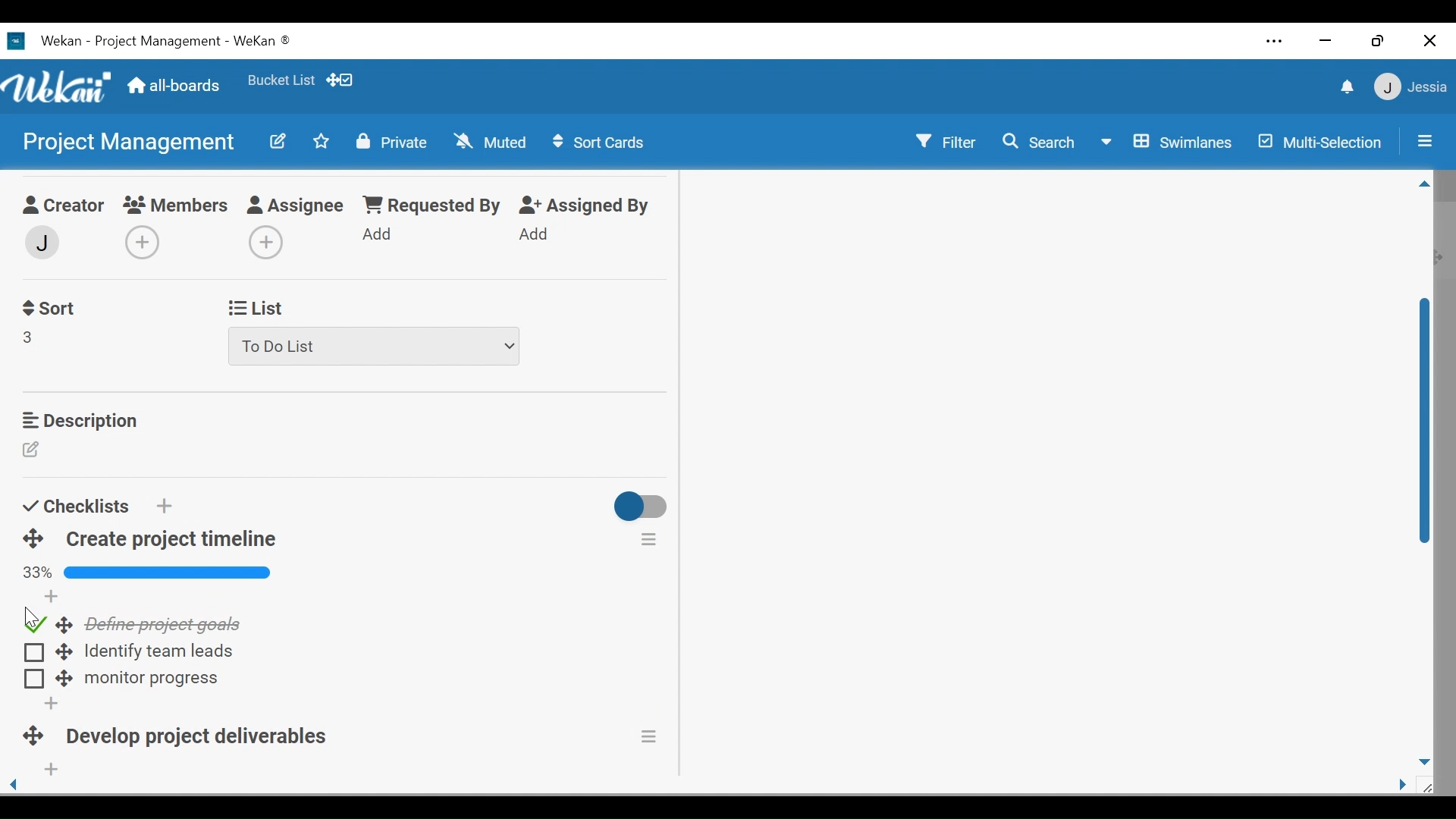 The width and height of the screenshot is (1456, 819). What do you see at coordinates (601, 142) in the screenshot?
I see `Sort Cards` at bounding box center [601, 142].